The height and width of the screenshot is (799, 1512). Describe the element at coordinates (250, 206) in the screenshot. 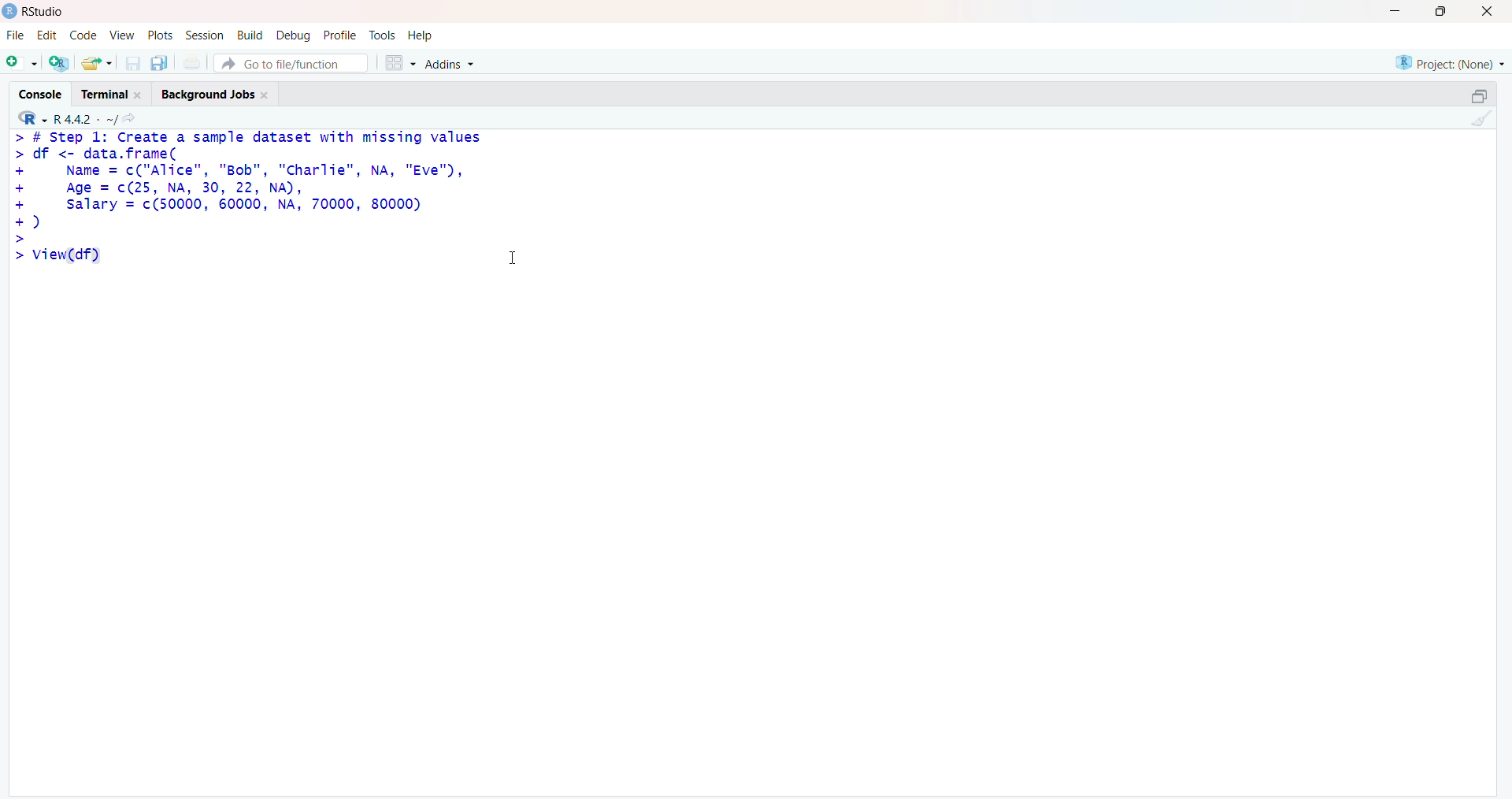

I see `> # Step 1: Create a sample dataset with missing values
> df <- data.frame(

+ Name = c("Alice", "Bob", "Charlie", NA, "Eve"),
+ Age = c(25, NA, 30, 22, NA),

+ salary = c(50000, 60000, NA, 70000, 80000)

+)

>

> view(df)` at that location.